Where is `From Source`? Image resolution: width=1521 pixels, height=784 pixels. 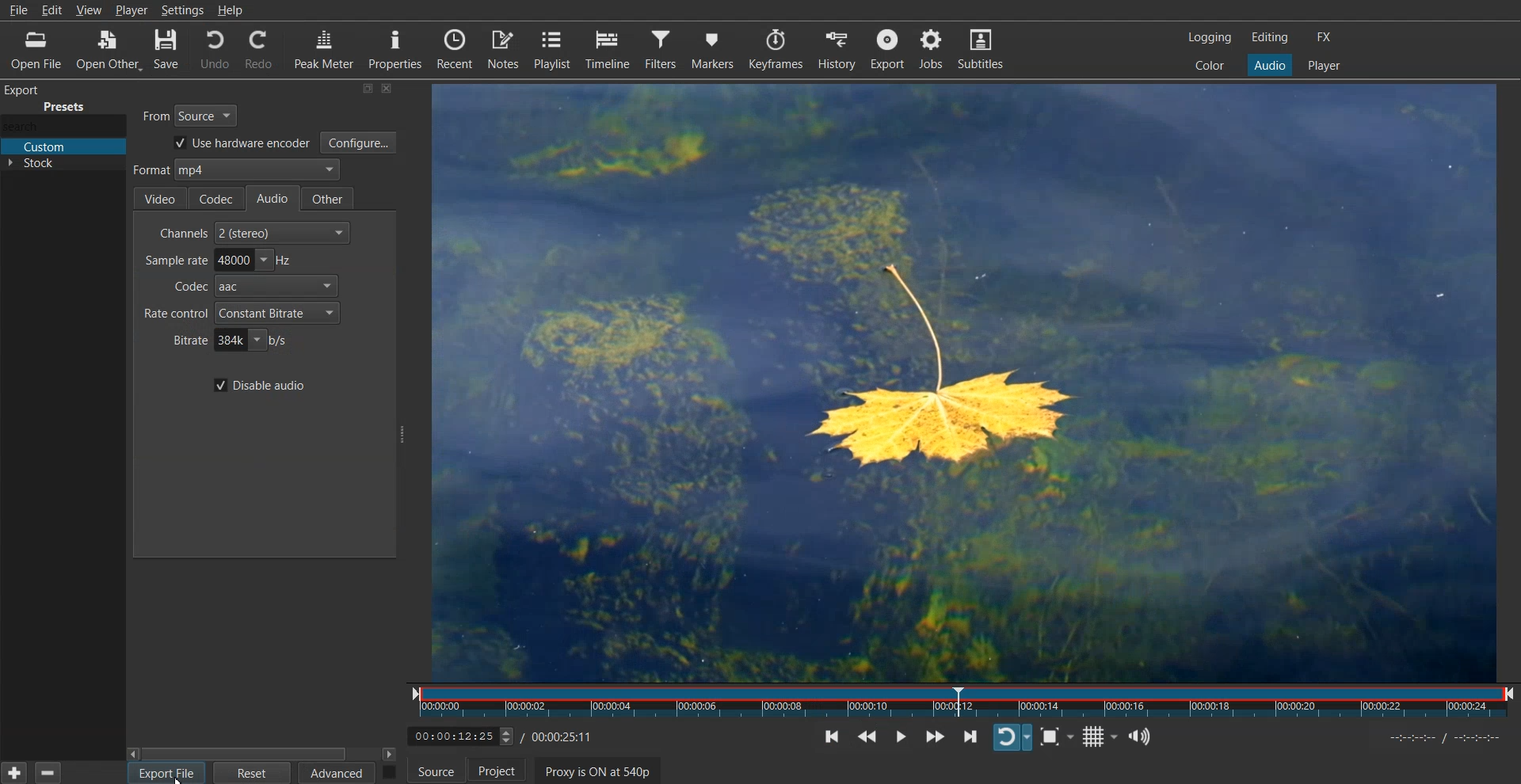
From Source is located at coordinates (192, 113).